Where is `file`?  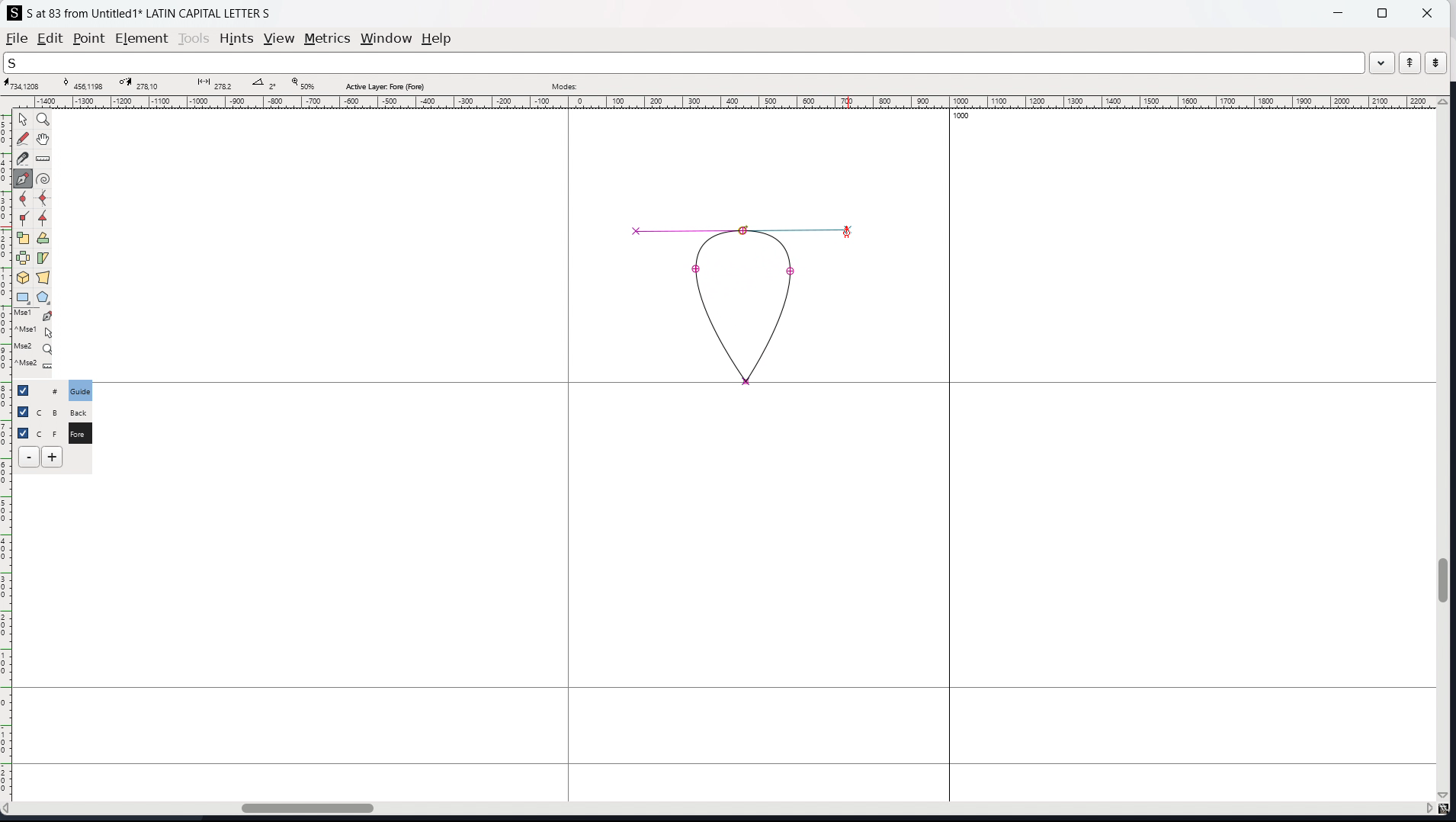
file is located at coordinates (17, 38).